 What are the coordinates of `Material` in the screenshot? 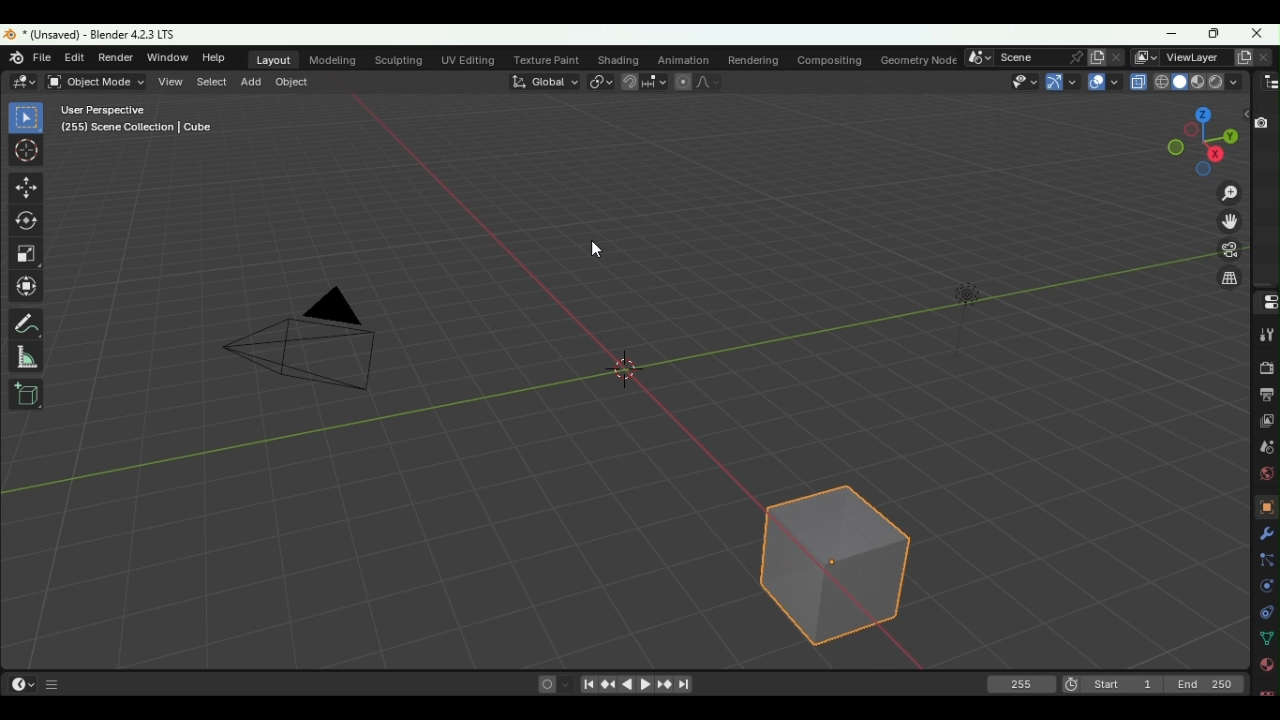 It's located at (1267, 665).